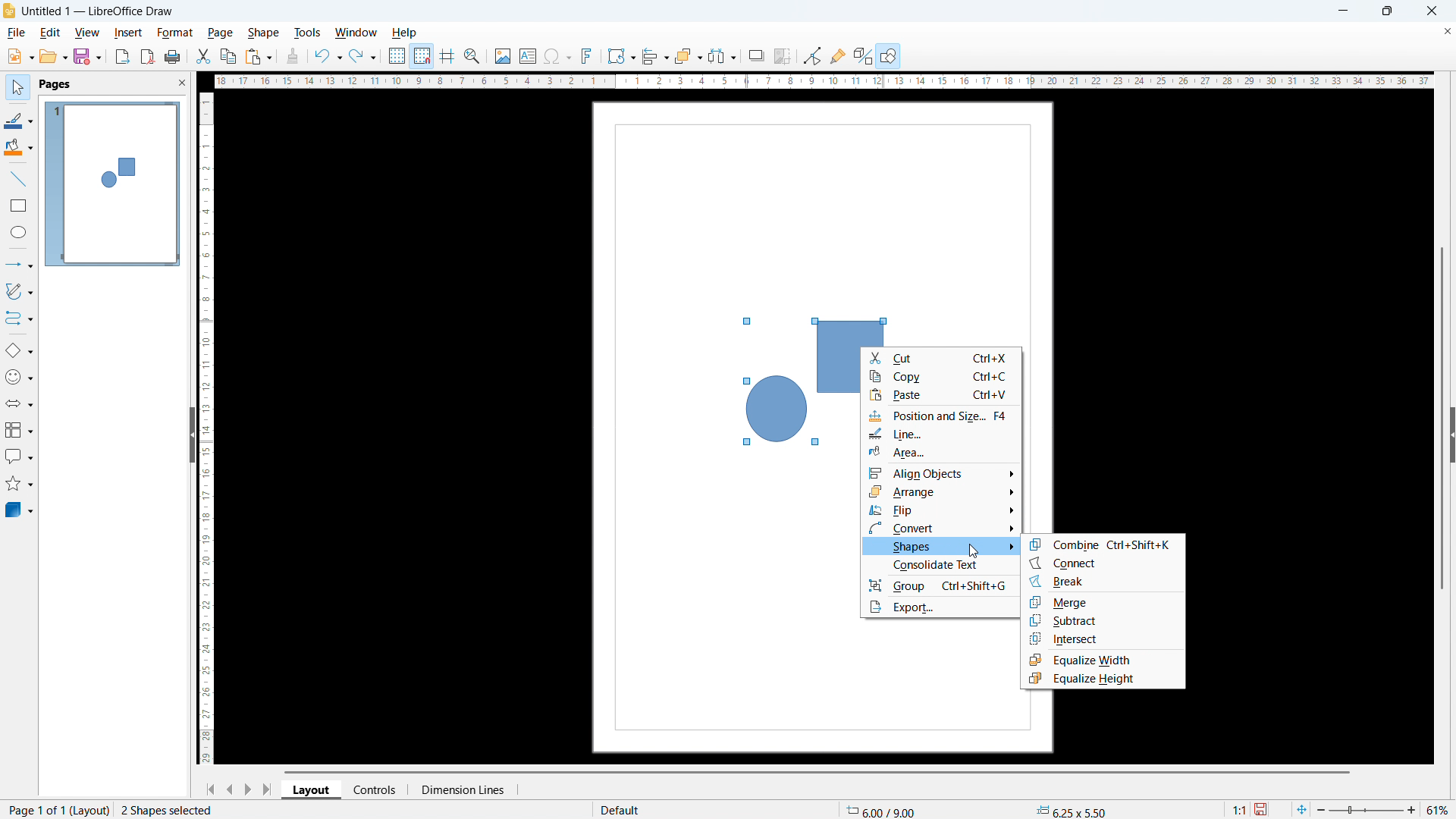 This screenshot has width=1456, height=819. I want to click on lines & arrows, so click(22, 265).